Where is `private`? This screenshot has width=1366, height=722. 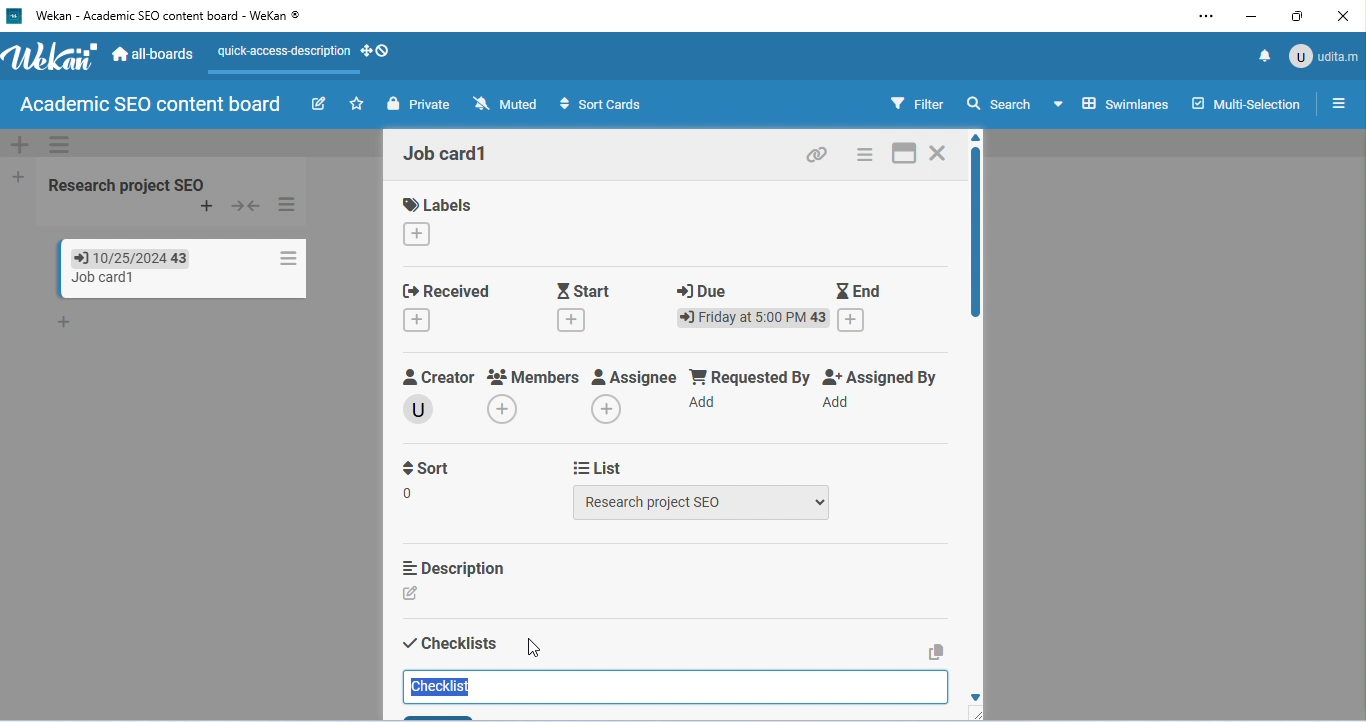
private is located at coordinates (418, 104).